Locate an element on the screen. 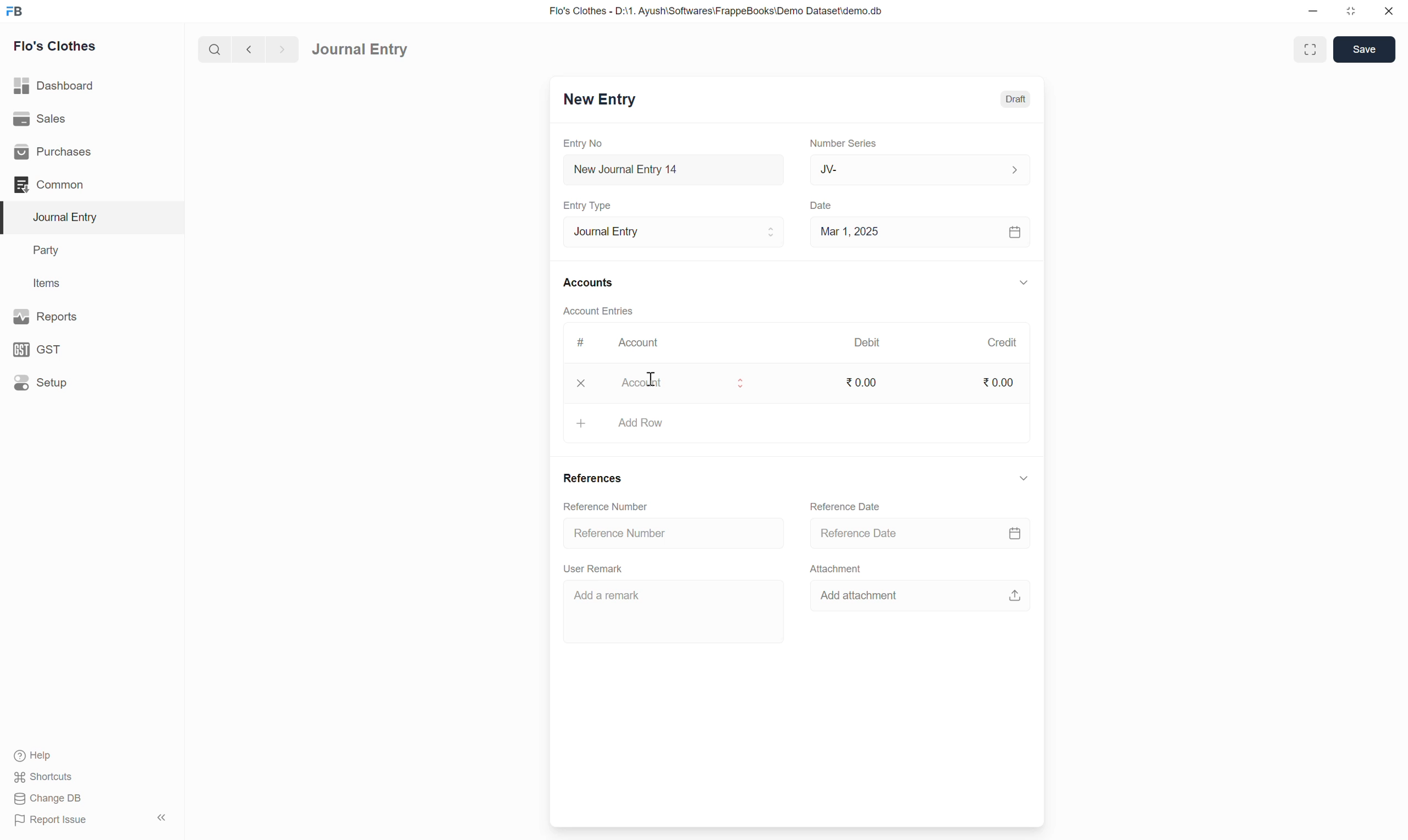 Image resolution: width=1408 pixels, height=840 pixels. calendar is located at coordinates (1016, 233).